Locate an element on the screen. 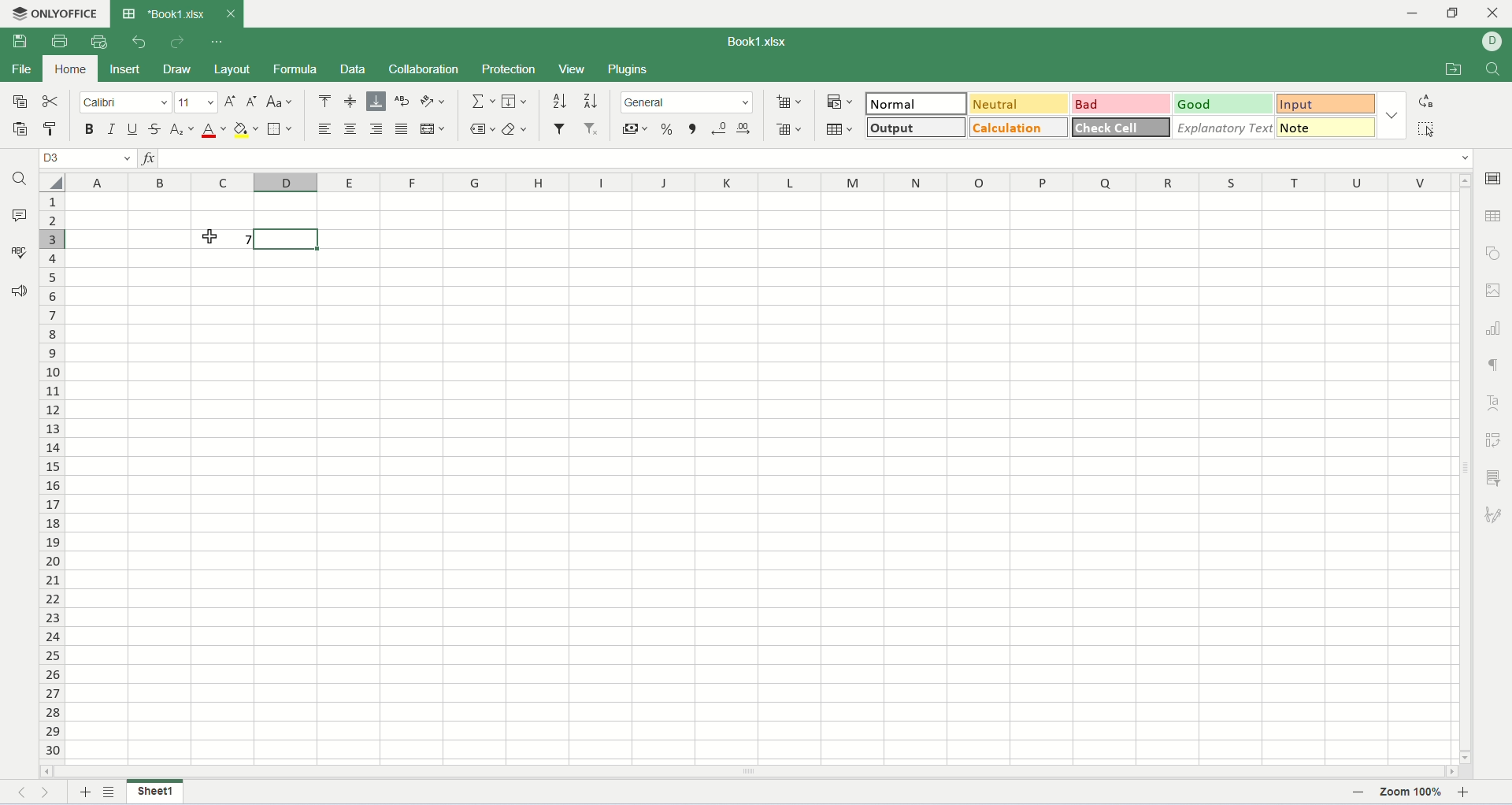  document is located at coordinates (758, 40).